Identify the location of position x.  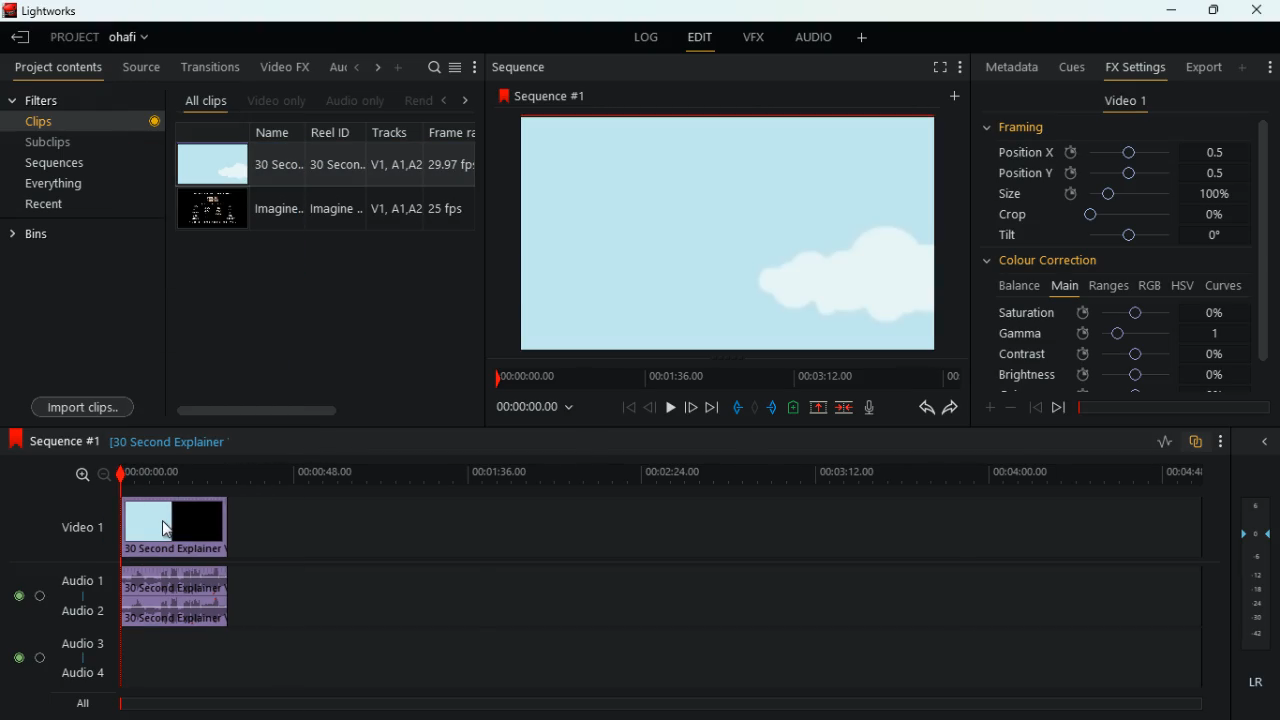
(1116, 152).